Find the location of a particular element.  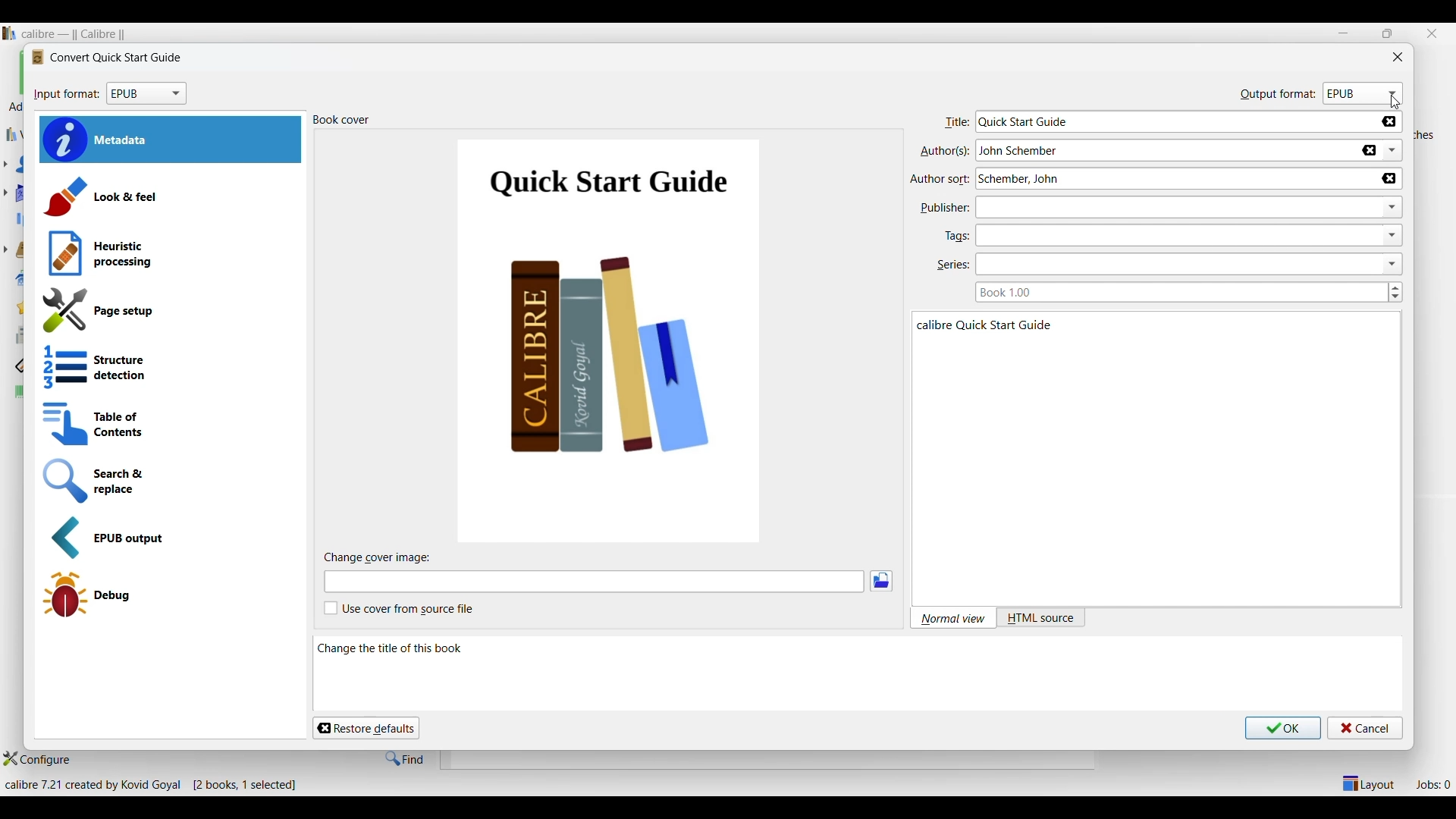

Configure is located at coordinates (36, 759).